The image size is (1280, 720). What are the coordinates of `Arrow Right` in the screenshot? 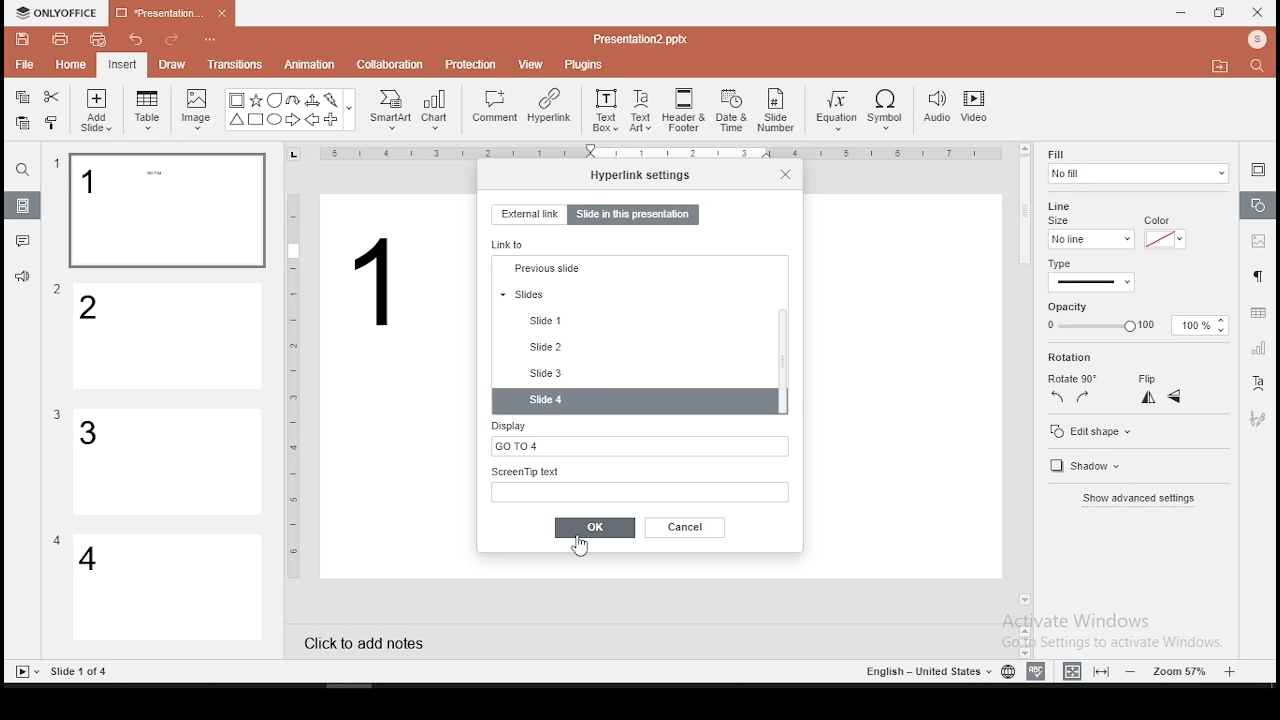 It's located at (294, 121).